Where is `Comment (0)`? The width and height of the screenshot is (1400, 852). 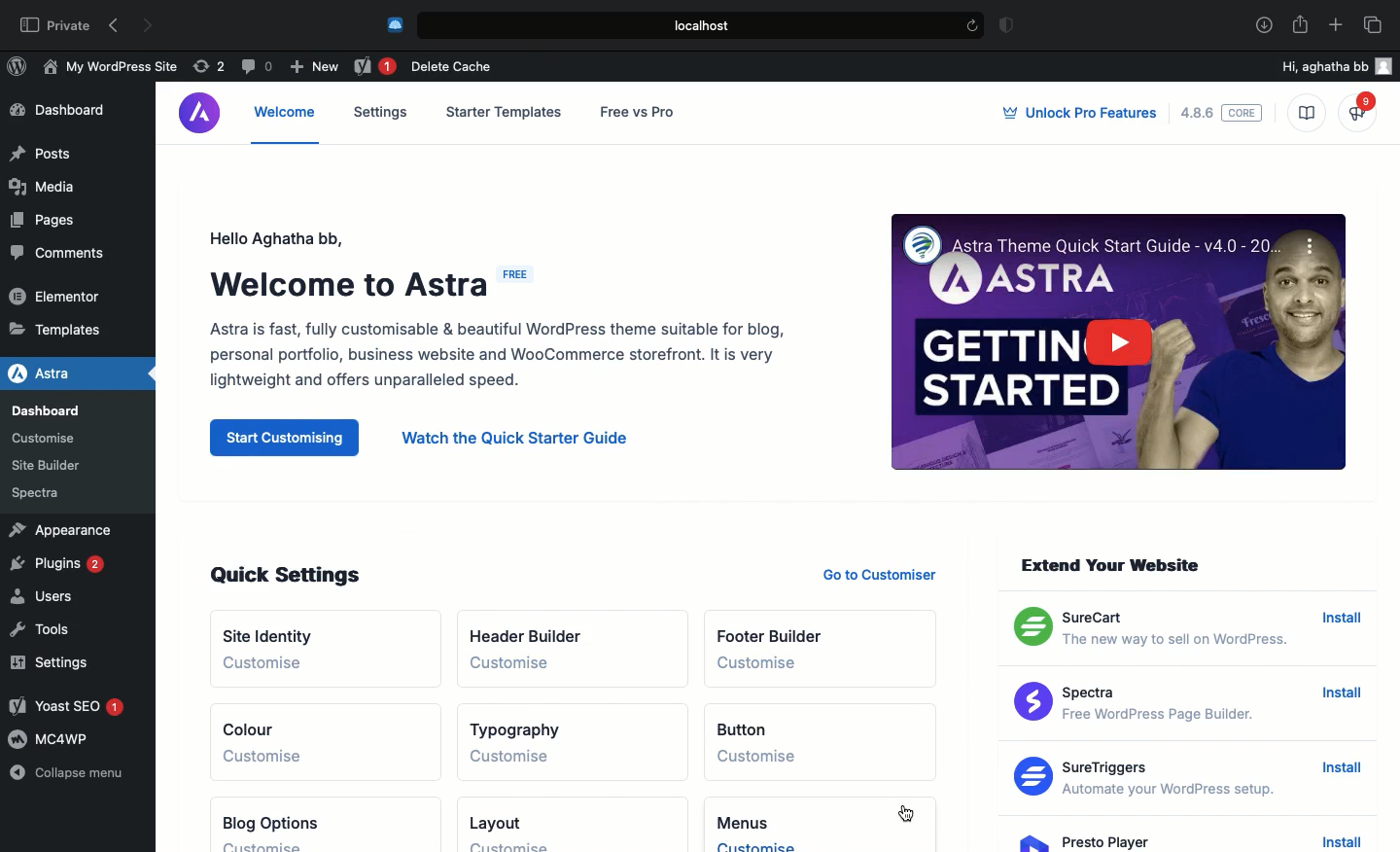 Comment (0) is located at coordinates (258, 65).